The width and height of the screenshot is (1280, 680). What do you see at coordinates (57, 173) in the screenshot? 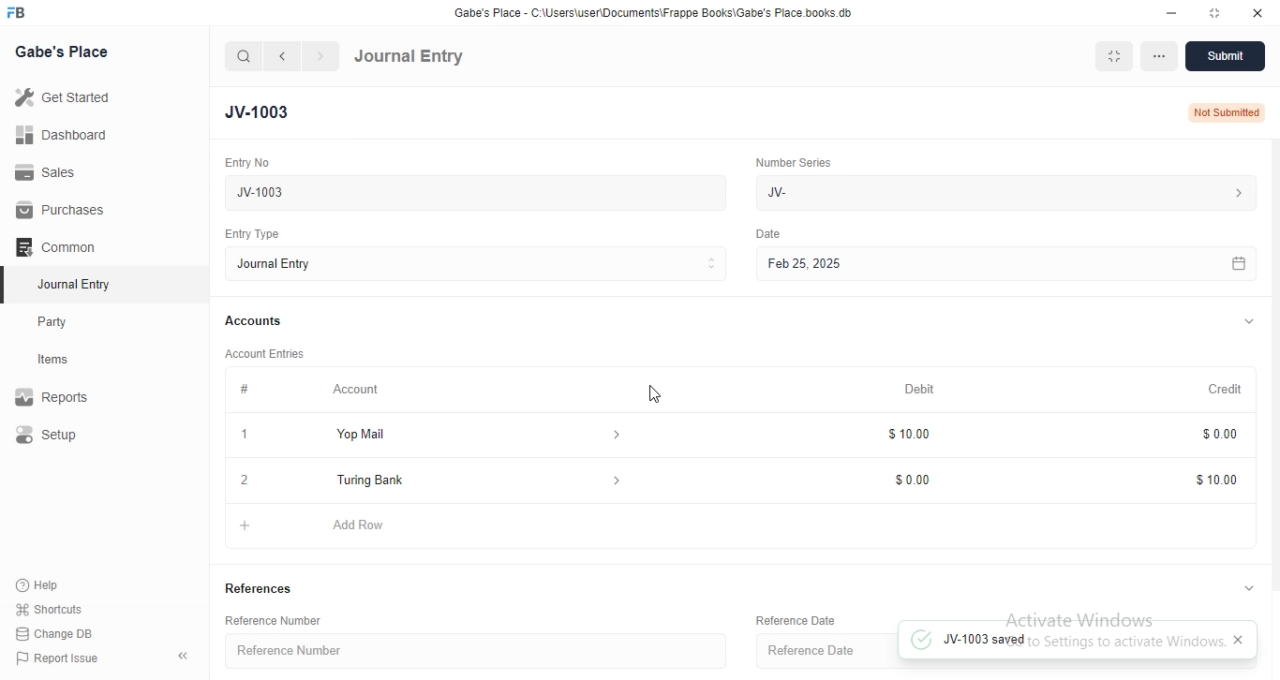
I see `Sales` at bounding box center [57, 173].